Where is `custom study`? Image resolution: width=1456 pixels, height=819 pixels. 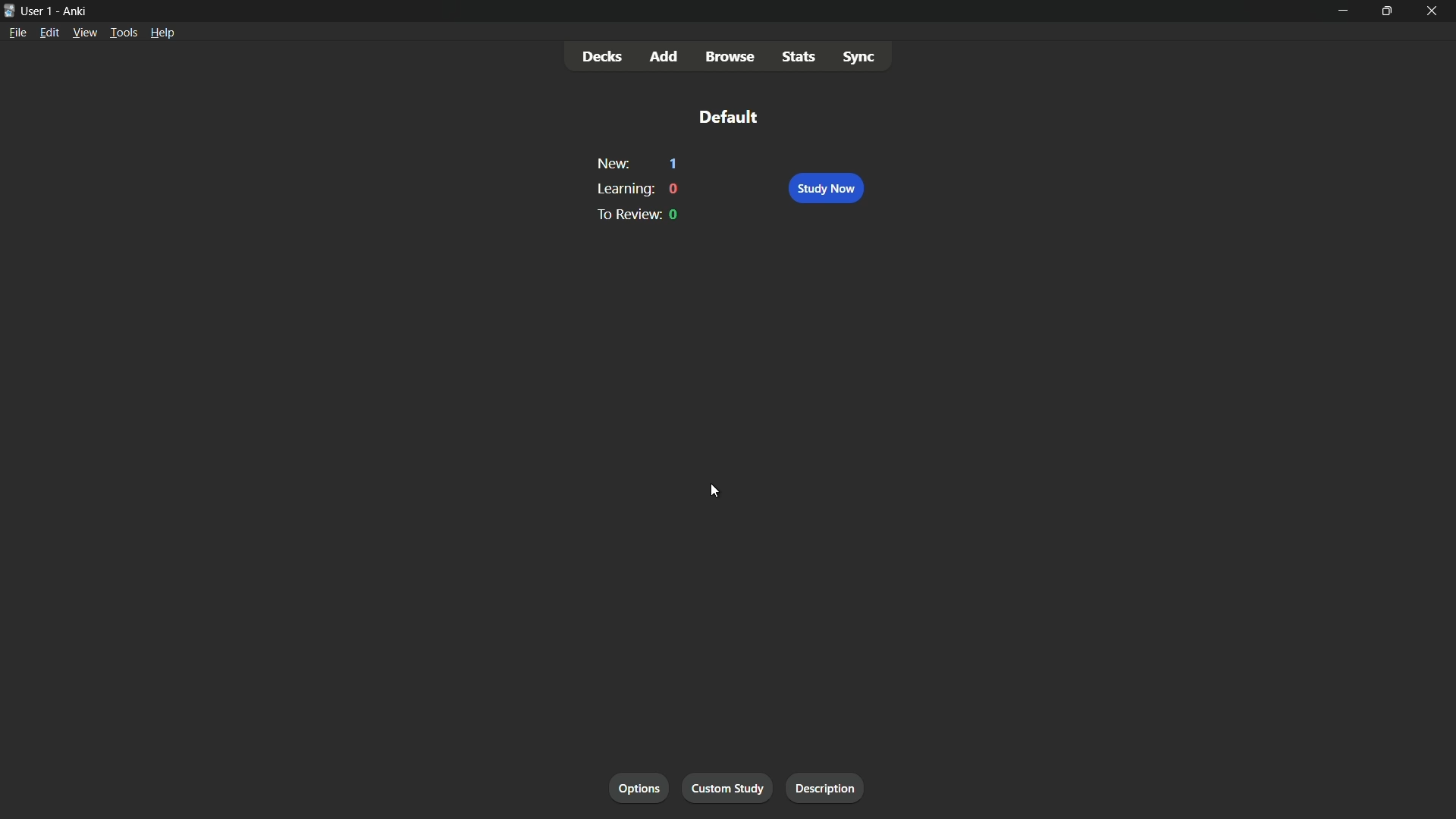
custom study is located at coordinates (731, 788).